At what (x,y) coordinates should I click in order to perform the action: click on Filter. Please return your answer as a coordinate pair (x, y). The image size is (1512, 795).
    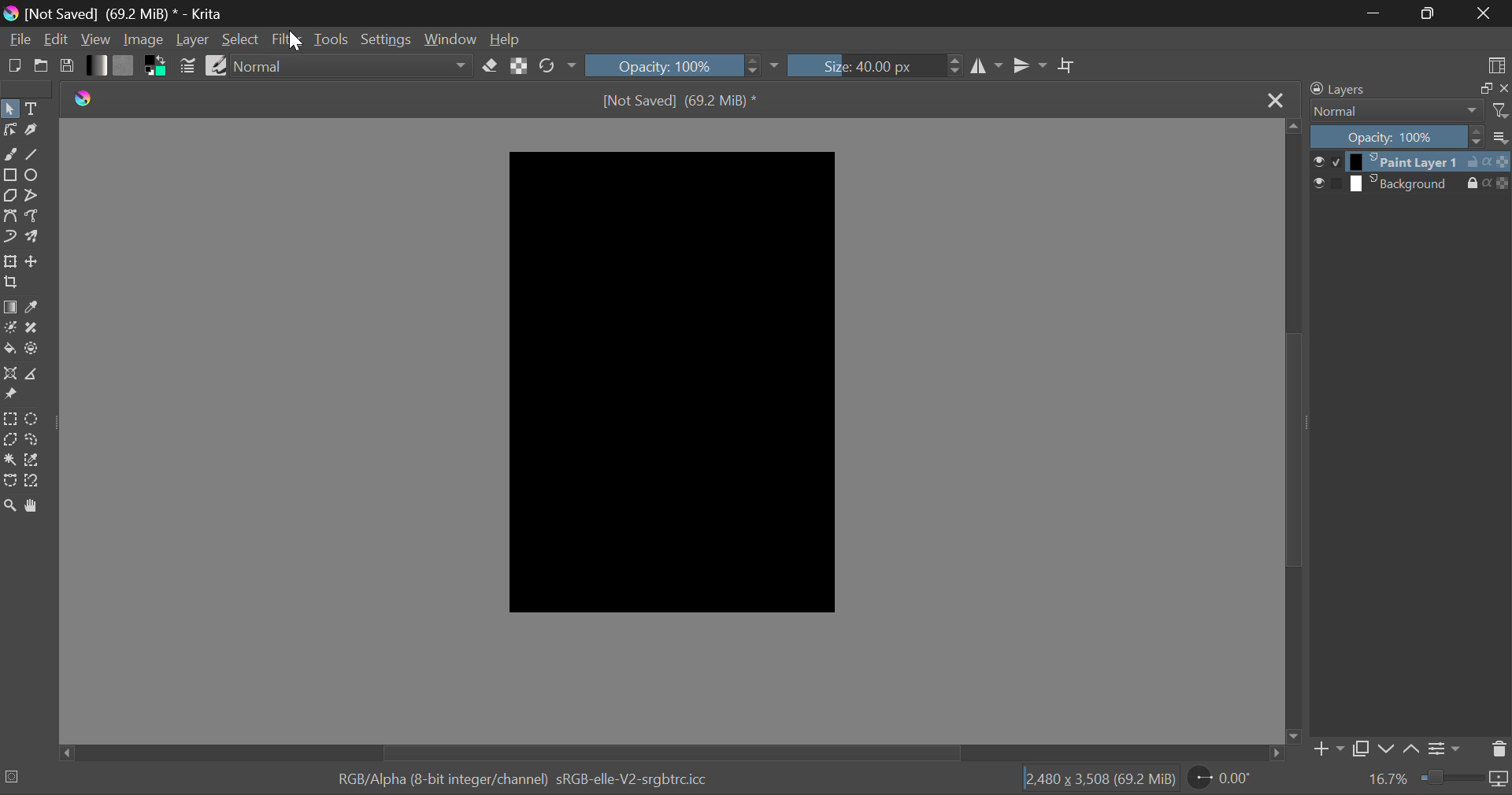
    Looking at the image, I should click on (287, 40).